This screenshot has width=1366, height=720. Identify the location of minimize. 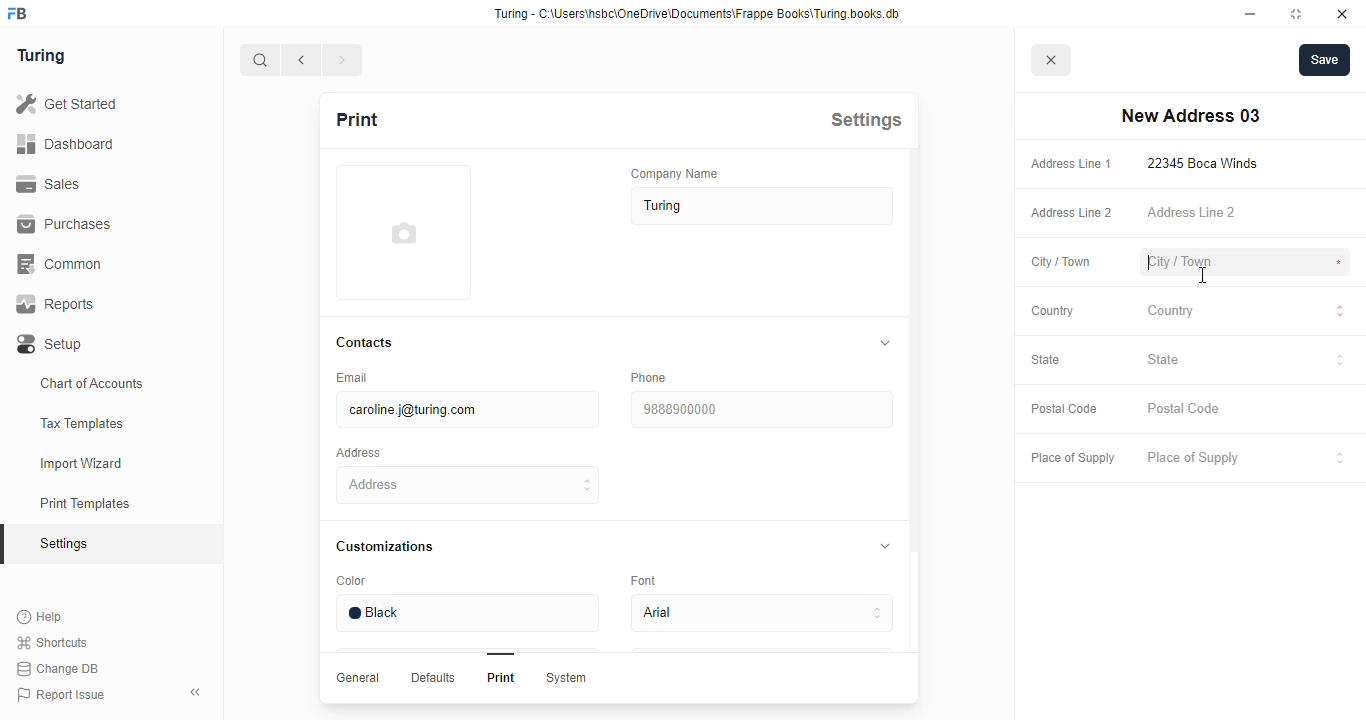
(1251, 14).